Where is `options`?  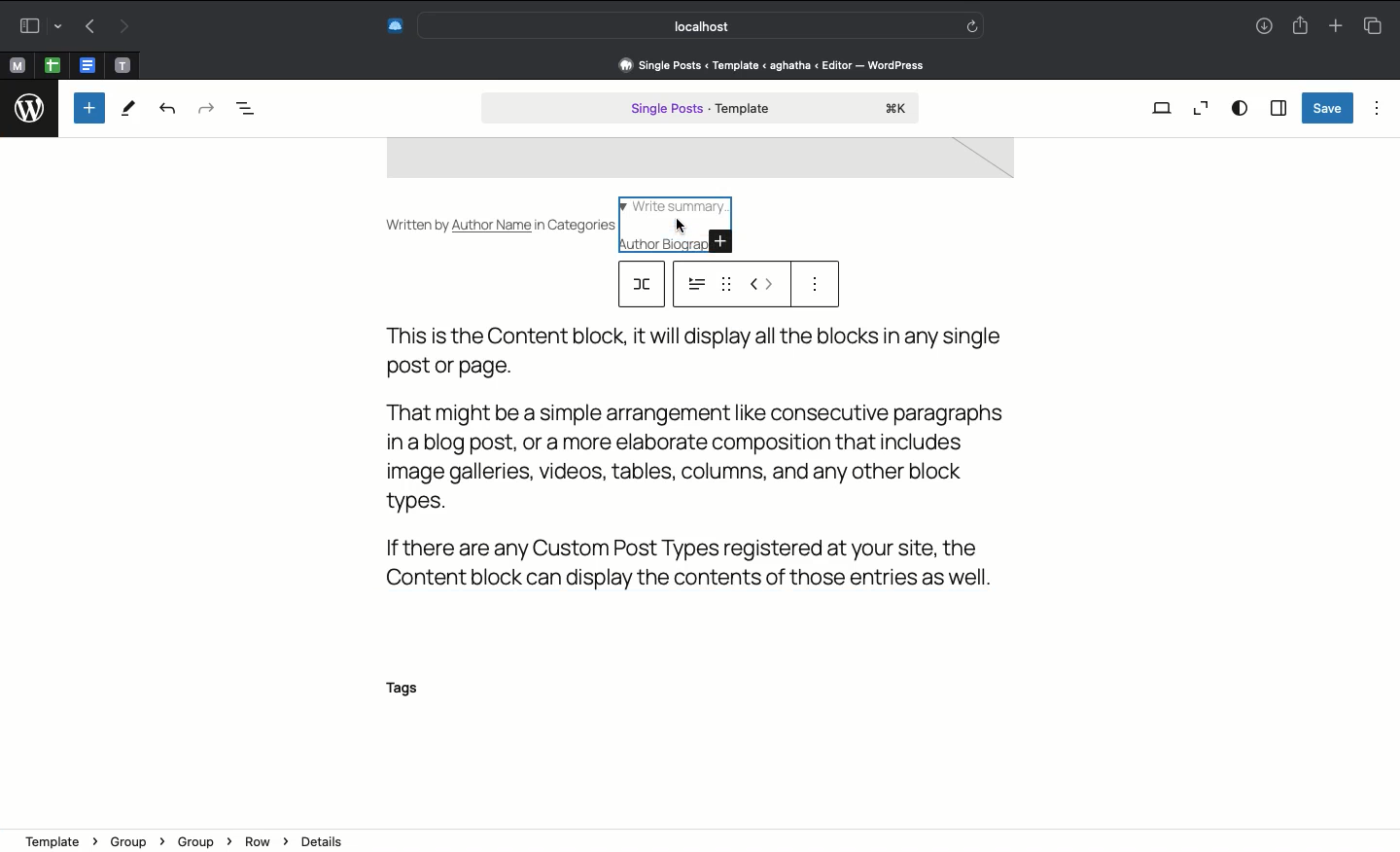 options is located at coordinates (691, 286).